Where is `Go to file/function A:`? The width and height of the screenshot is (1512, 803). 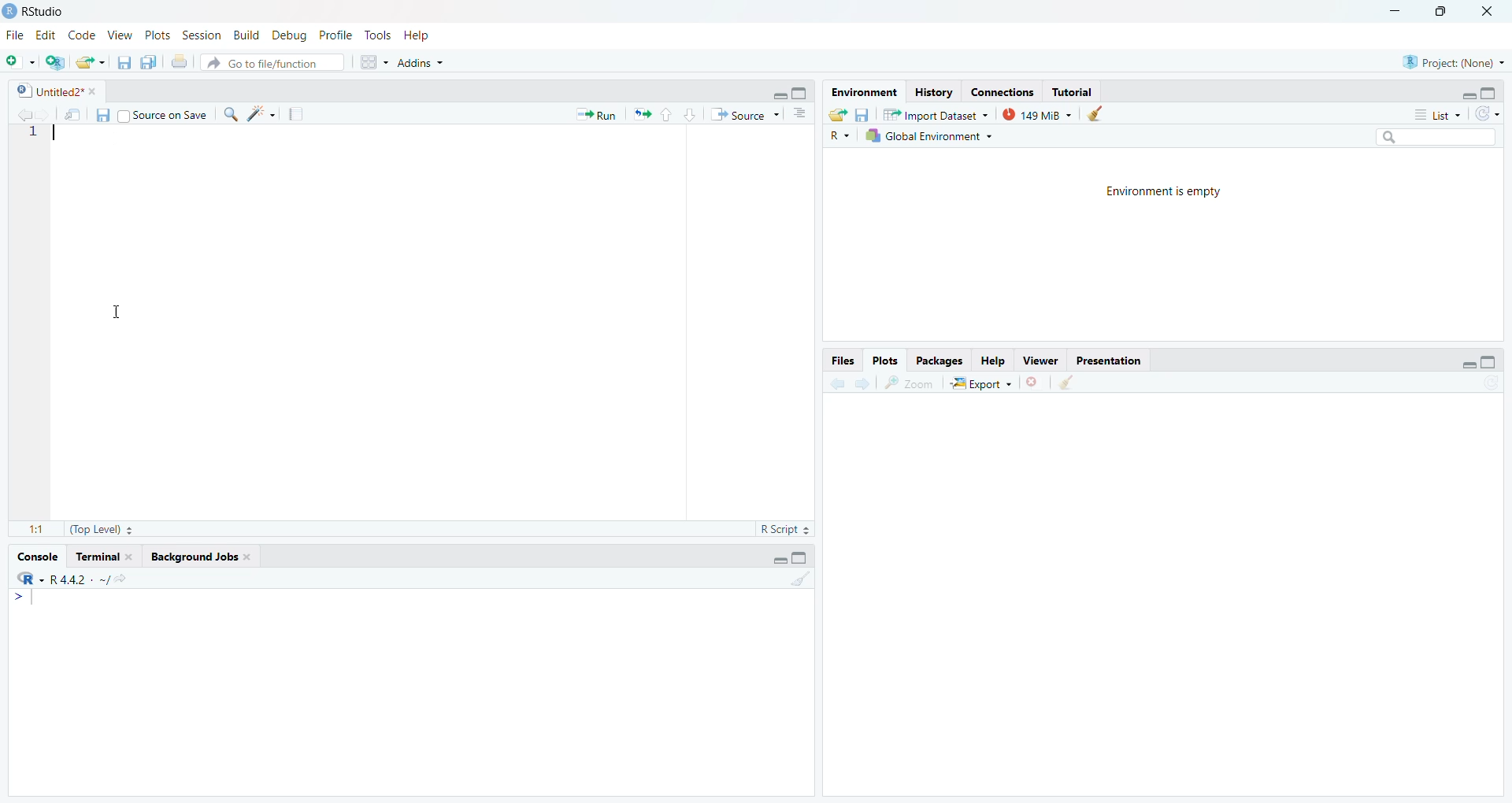
Go to file/function A: is located at coordinates (275, 62).